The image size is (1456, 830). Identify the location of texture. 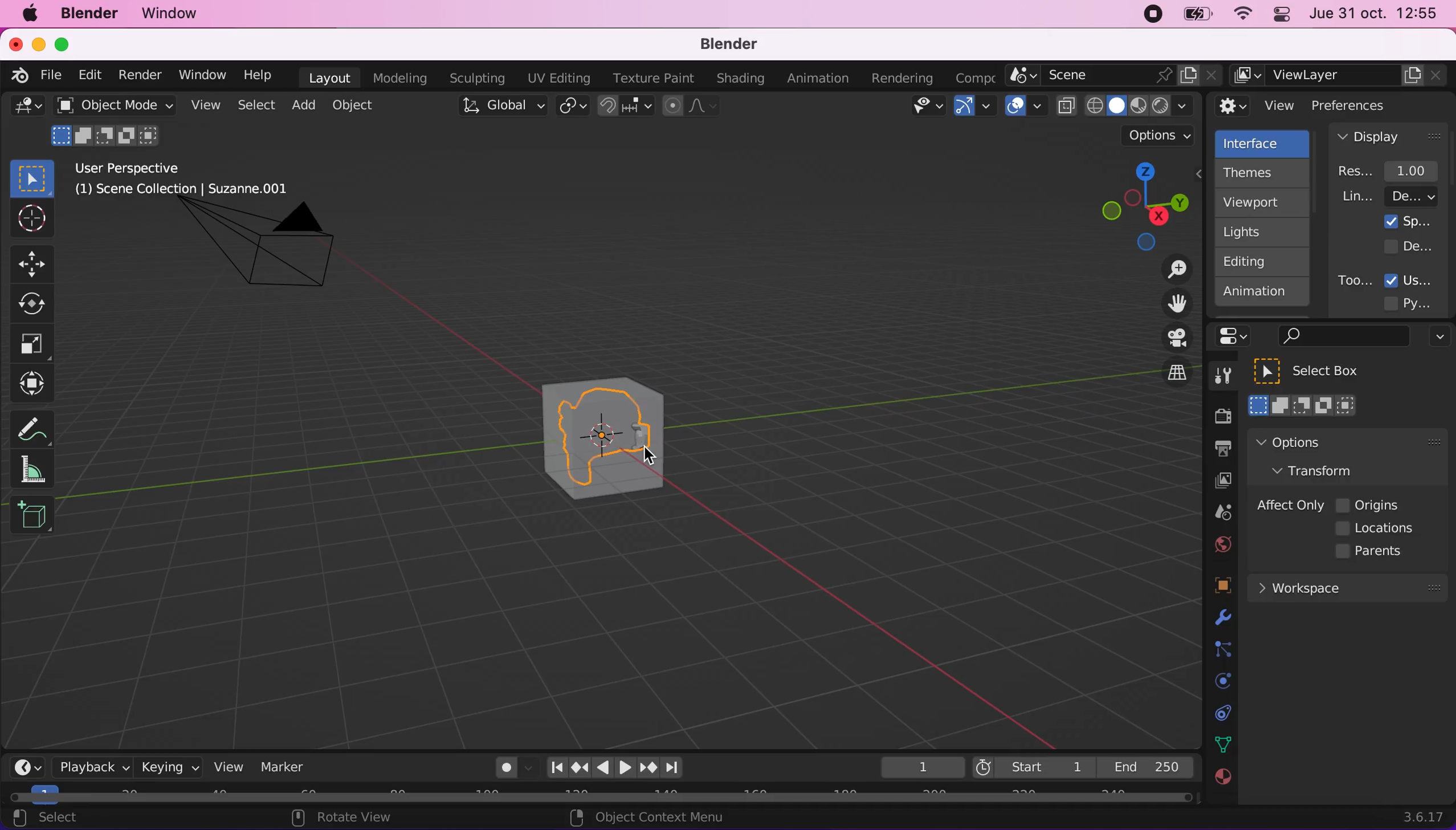
(1221, 783).